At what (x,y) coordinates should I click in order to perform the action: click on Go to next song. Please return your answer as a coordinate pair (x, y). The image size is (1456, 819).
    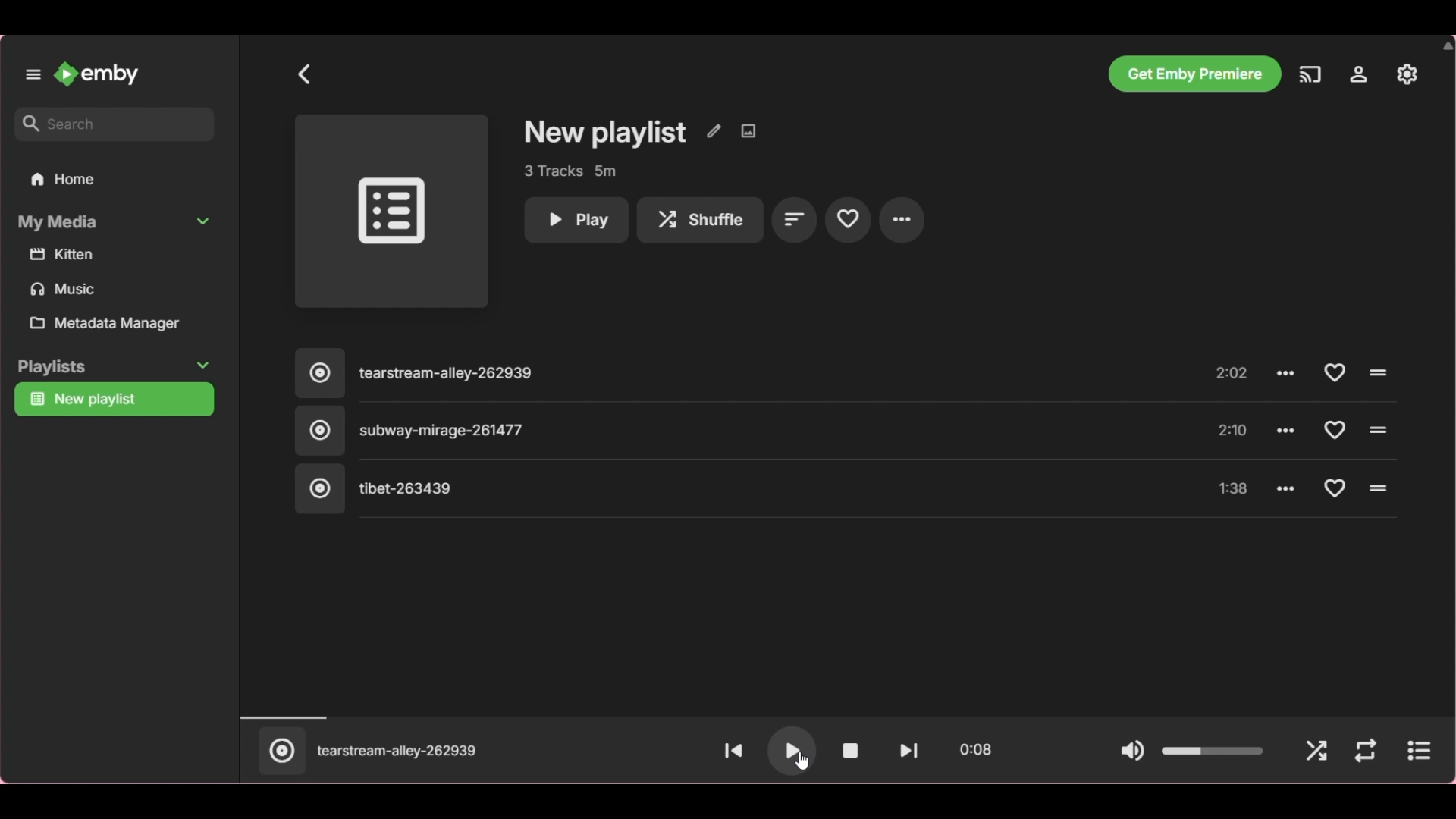
    Looking at the image, I should click on (908, 751).